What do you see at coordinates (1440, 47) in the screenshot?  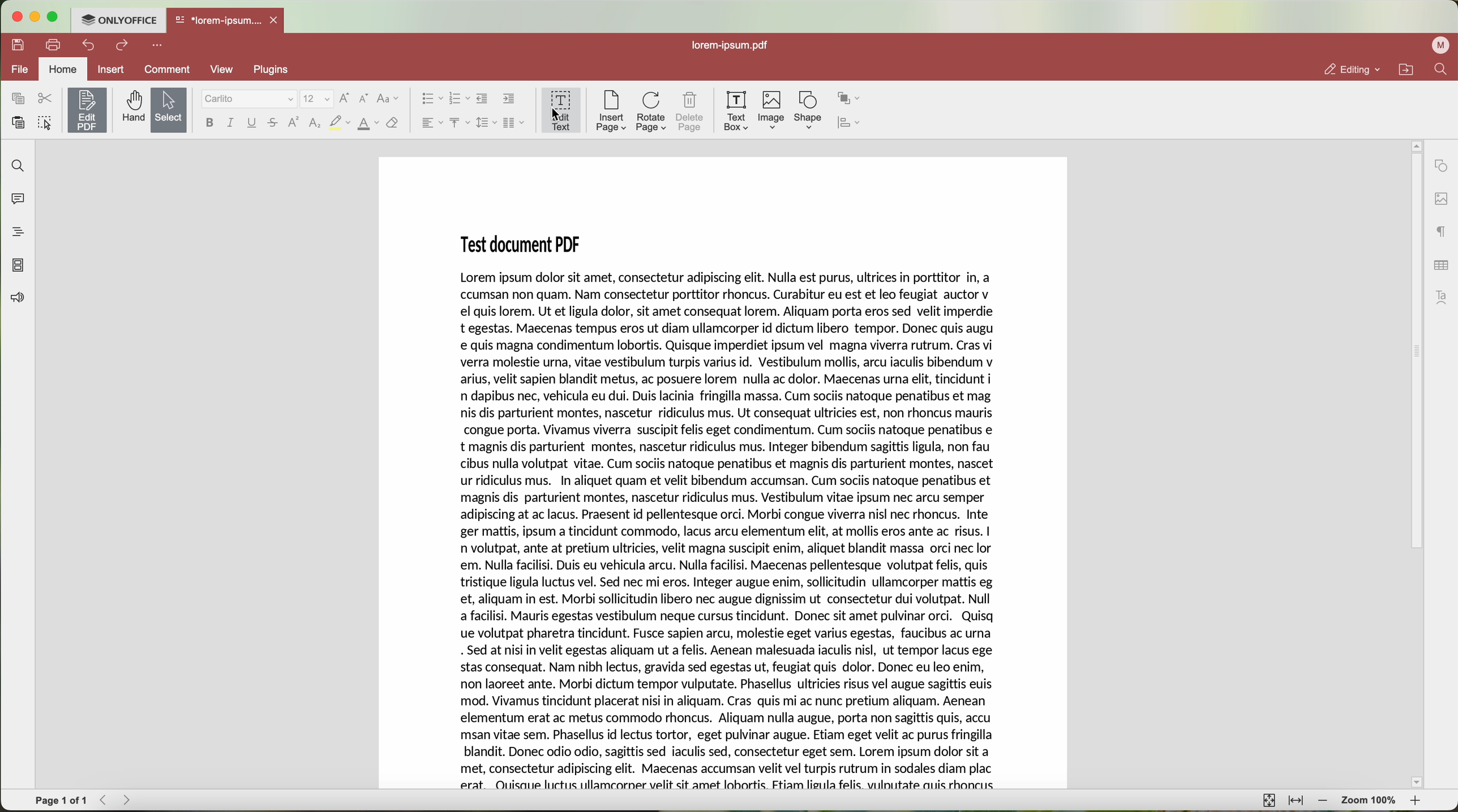 I see `user profile` at bounding box center [1440, 47].